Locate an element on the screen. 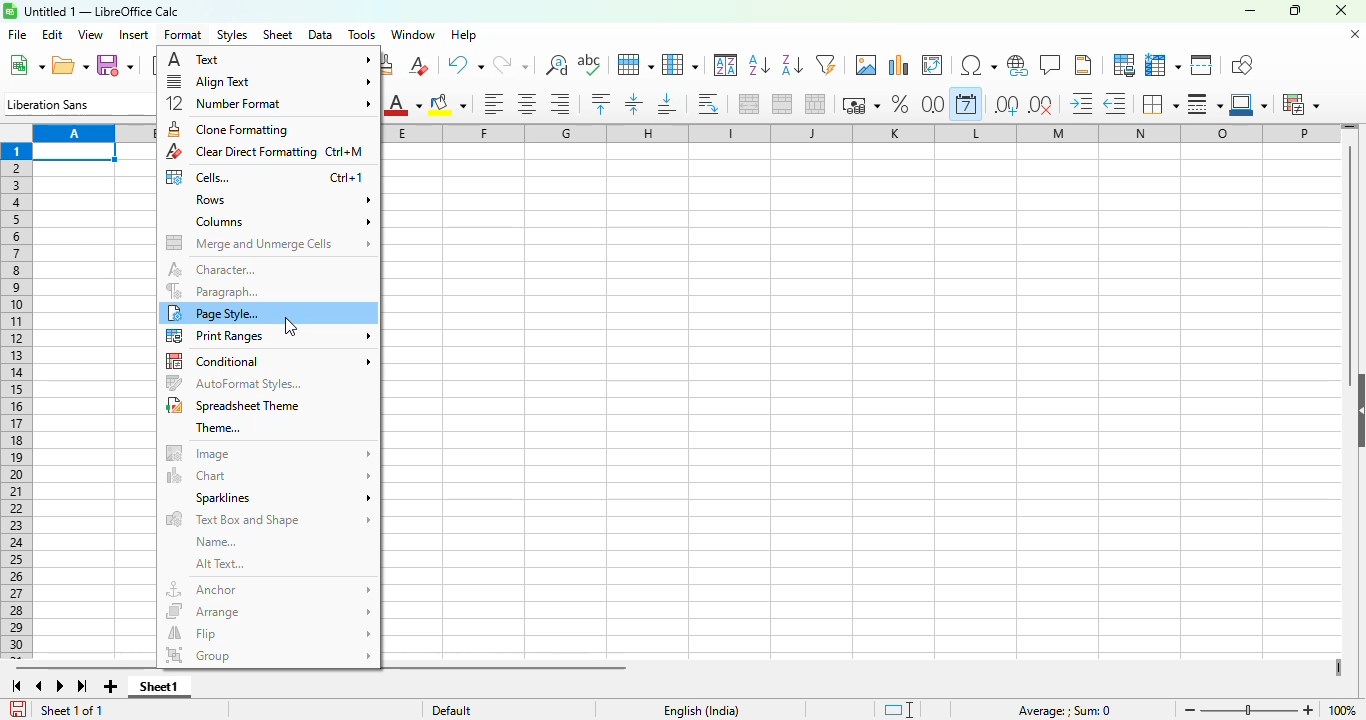 Image resolution: width=1366 pixels, height=720 pixels. headers and footers is located at coordinates (1083, 65).